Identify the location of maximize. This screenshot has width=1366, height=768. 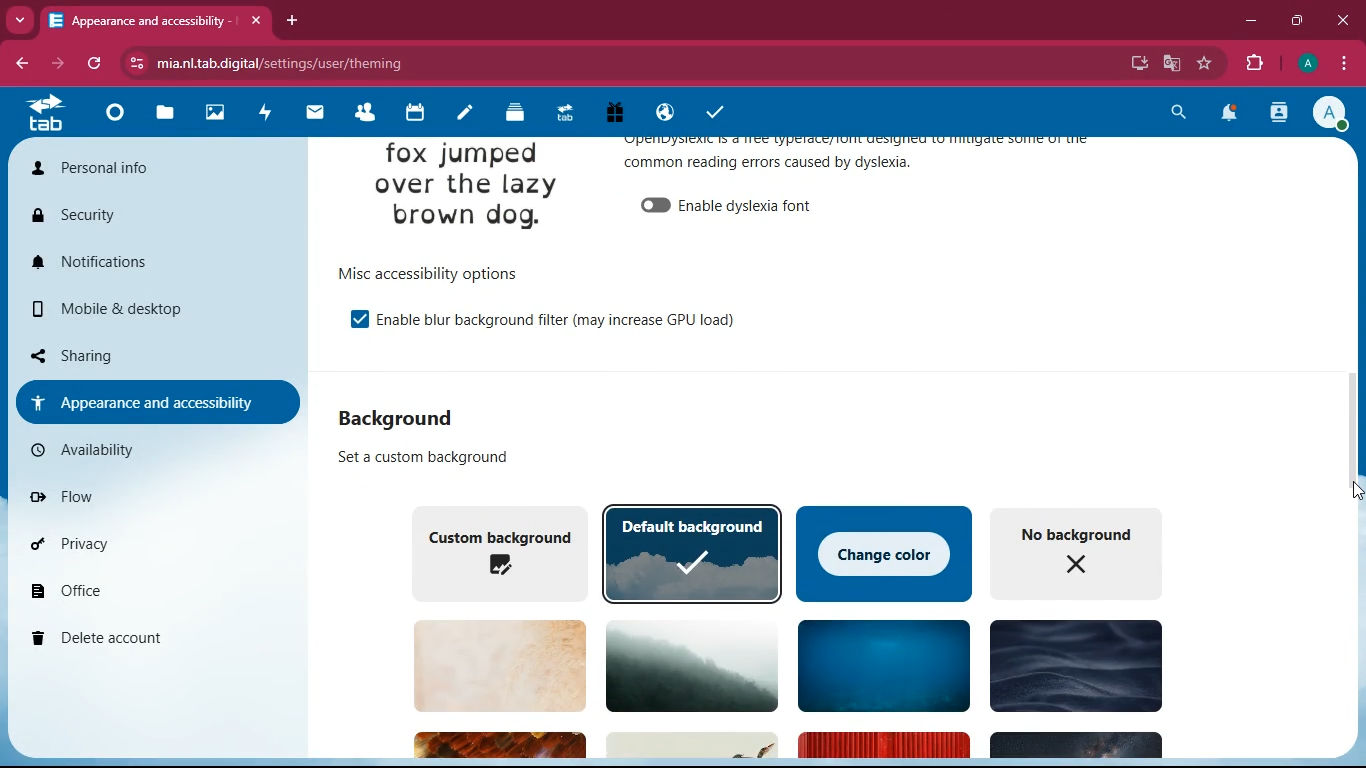
(1295, 21).